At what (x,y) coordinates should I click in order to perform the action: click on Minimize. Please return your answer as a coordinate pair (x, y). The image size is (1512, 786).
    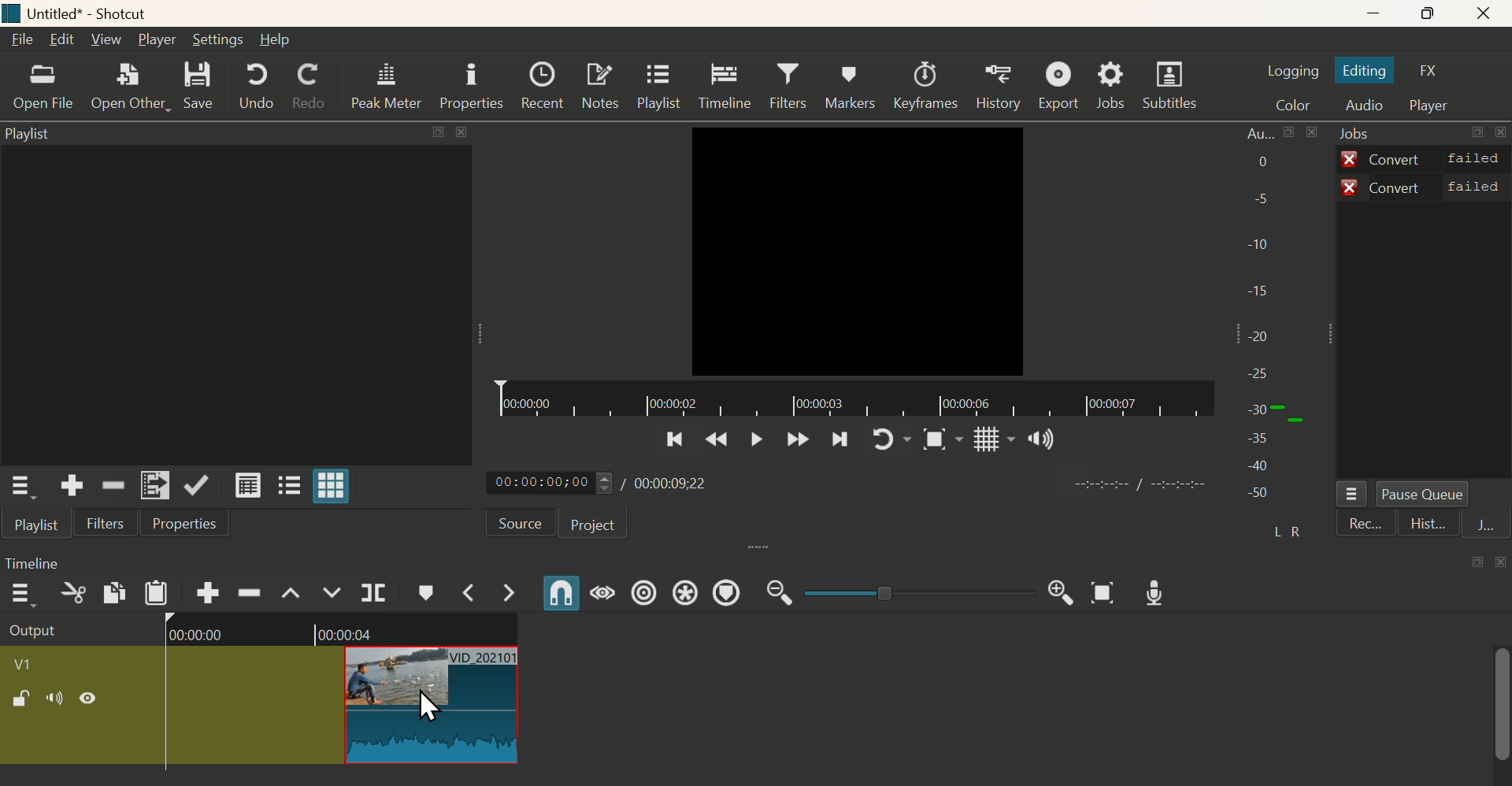
    Looking at the image, I should click on (1380, 14).